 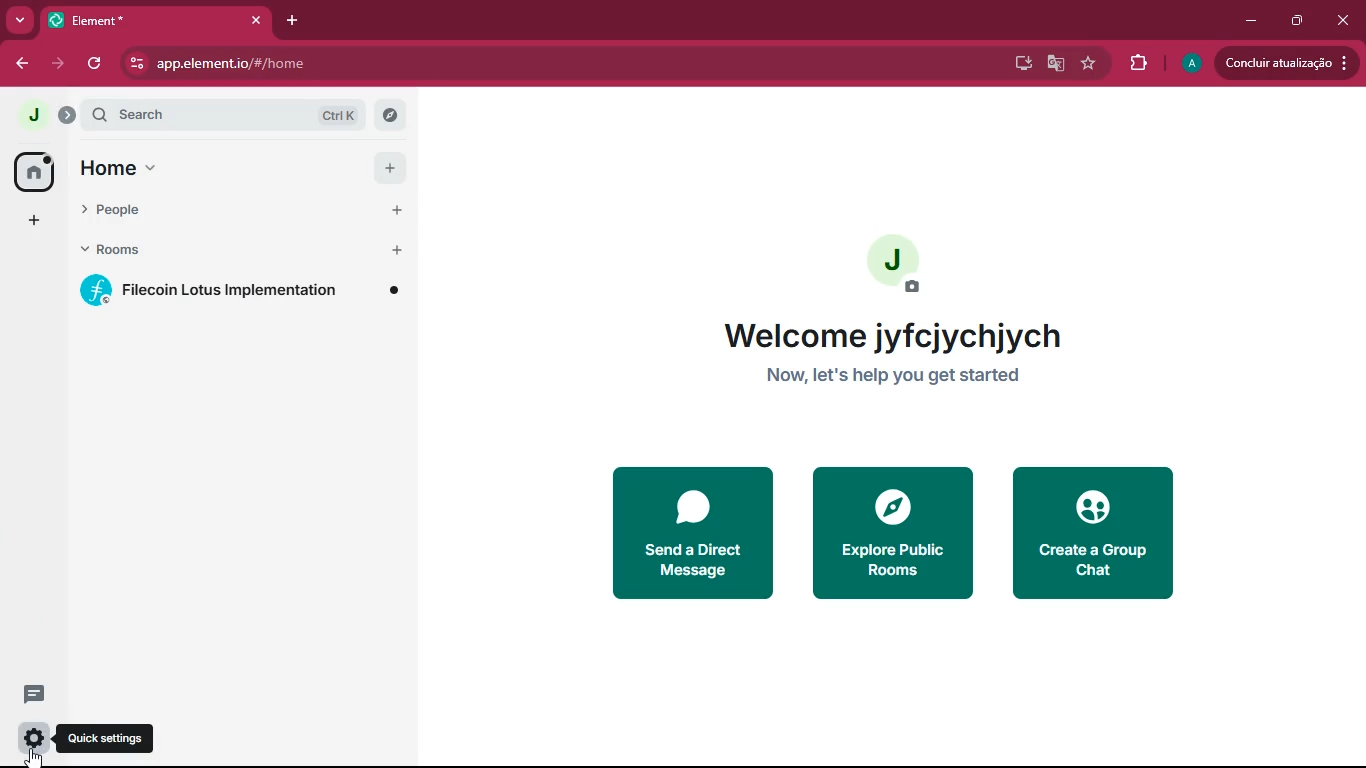 I want to click on home, so click(x=120, y=169).